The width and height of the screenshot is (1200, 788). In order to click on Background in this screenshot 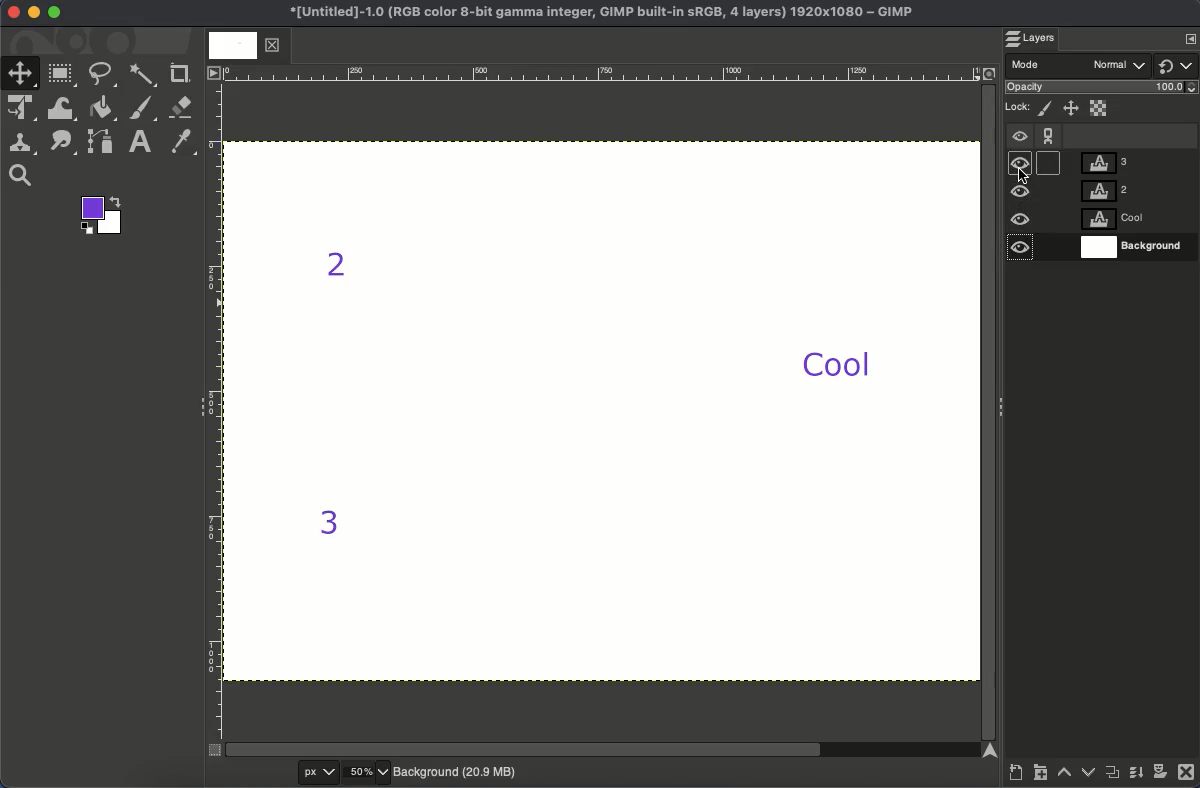, I will do `click(457, 770)`.